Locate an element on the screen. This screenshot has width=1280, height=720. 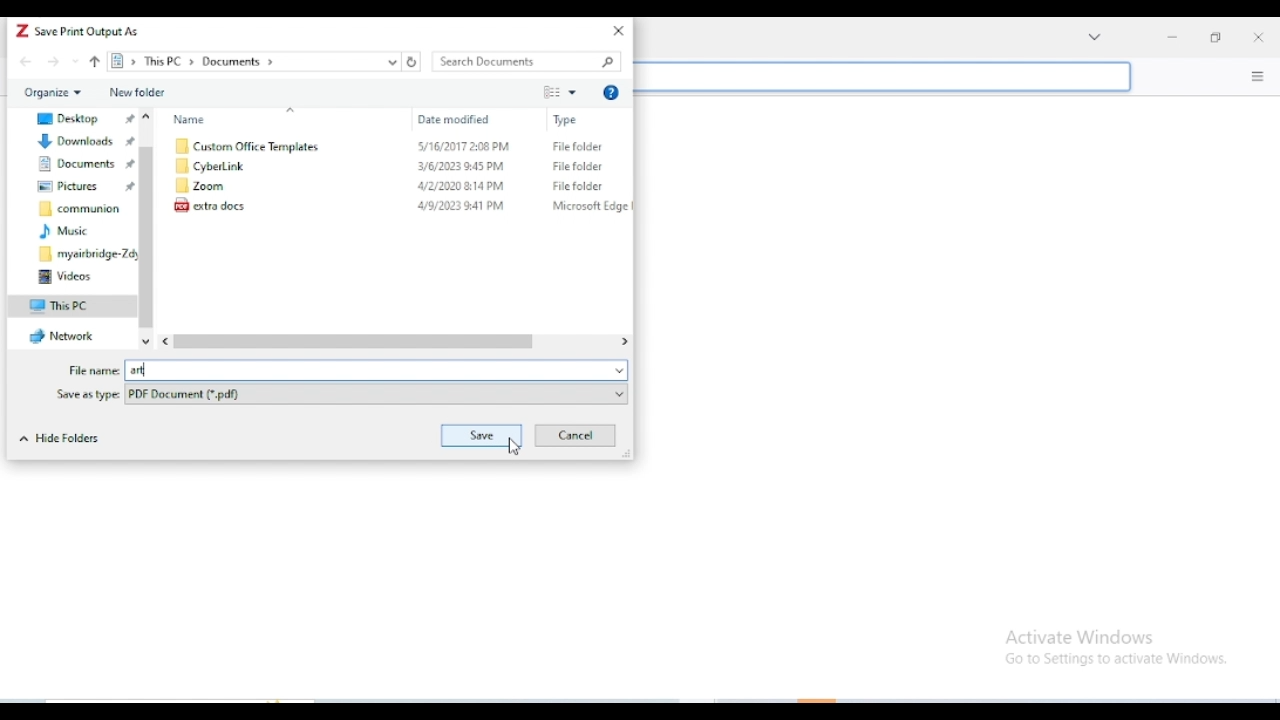
save is located at coordinates (481, 435).